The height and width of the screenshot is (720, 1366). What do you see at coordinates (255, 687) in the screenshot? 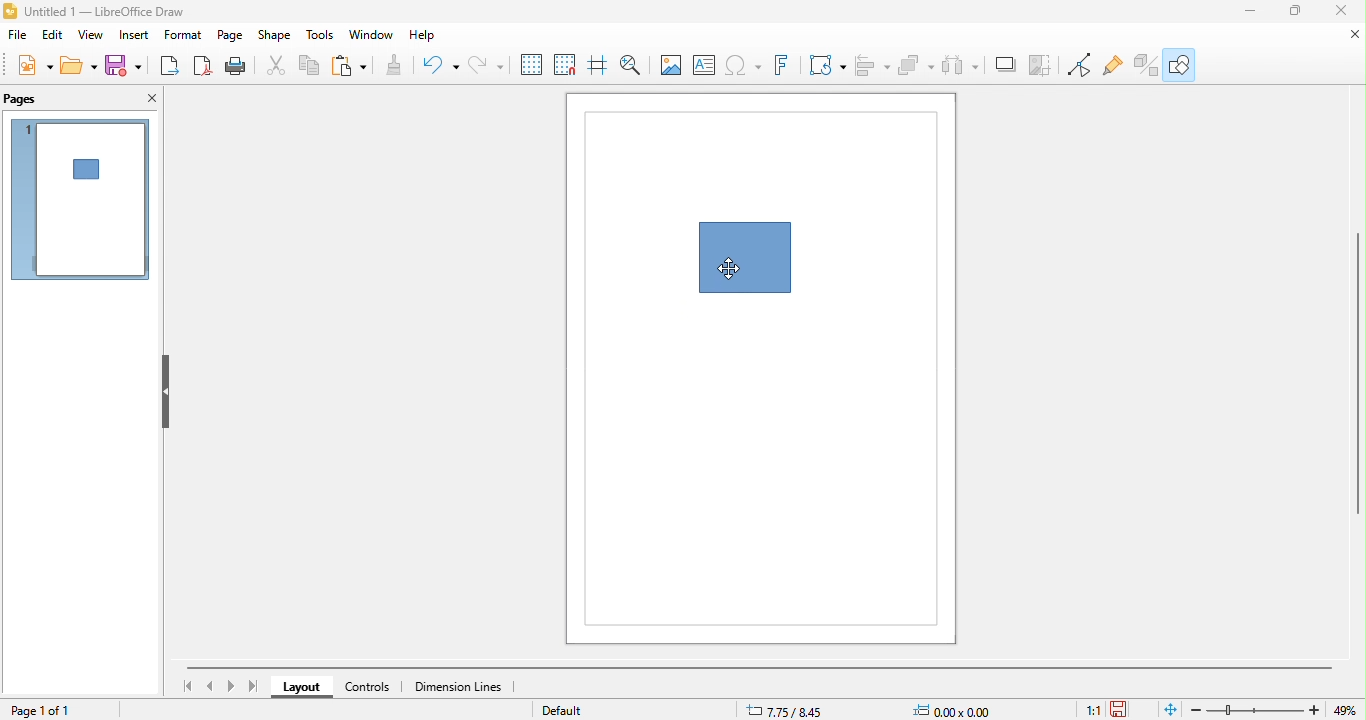
I see `last page` at bounding box center [255, 687].